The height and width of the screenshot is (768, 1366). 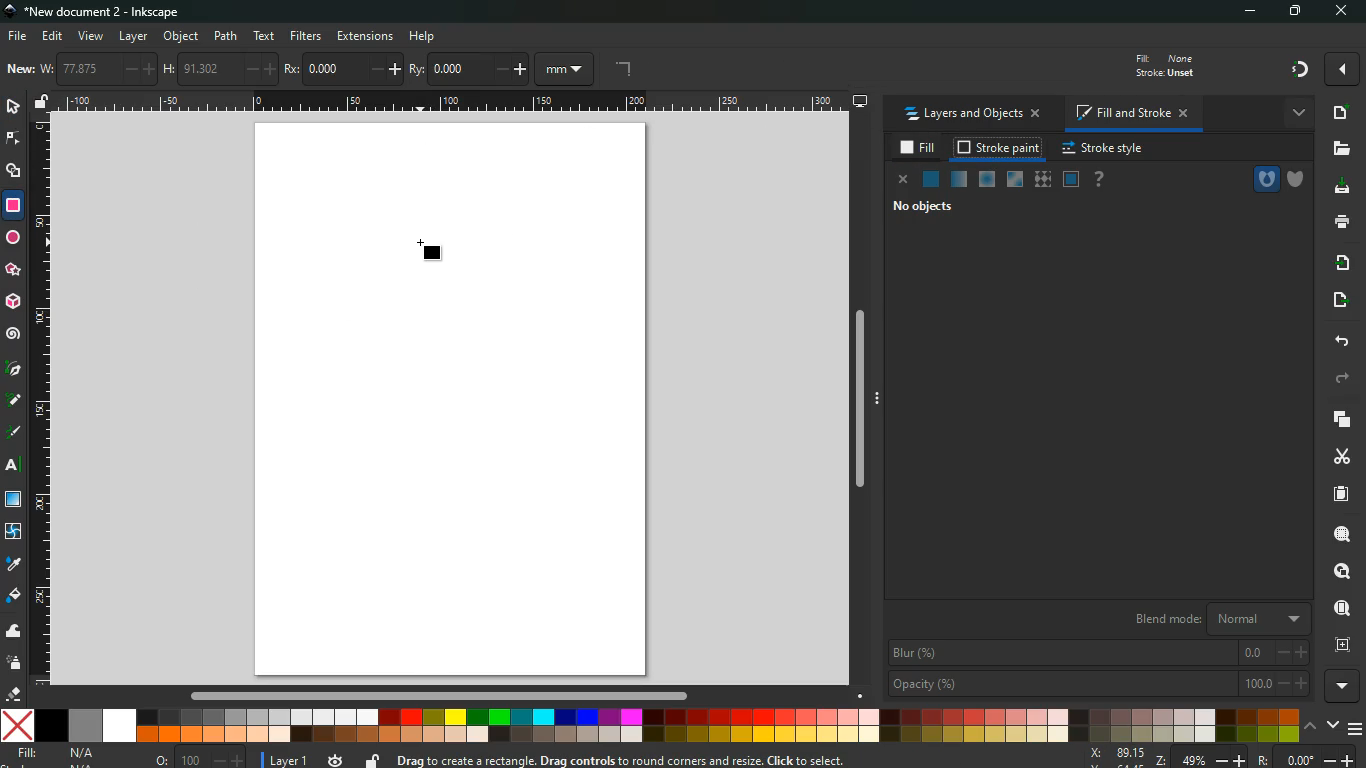 What do you see at coordinates (53, 36) in the screenshot?
I see `edit` at bounding box center [53, 36].